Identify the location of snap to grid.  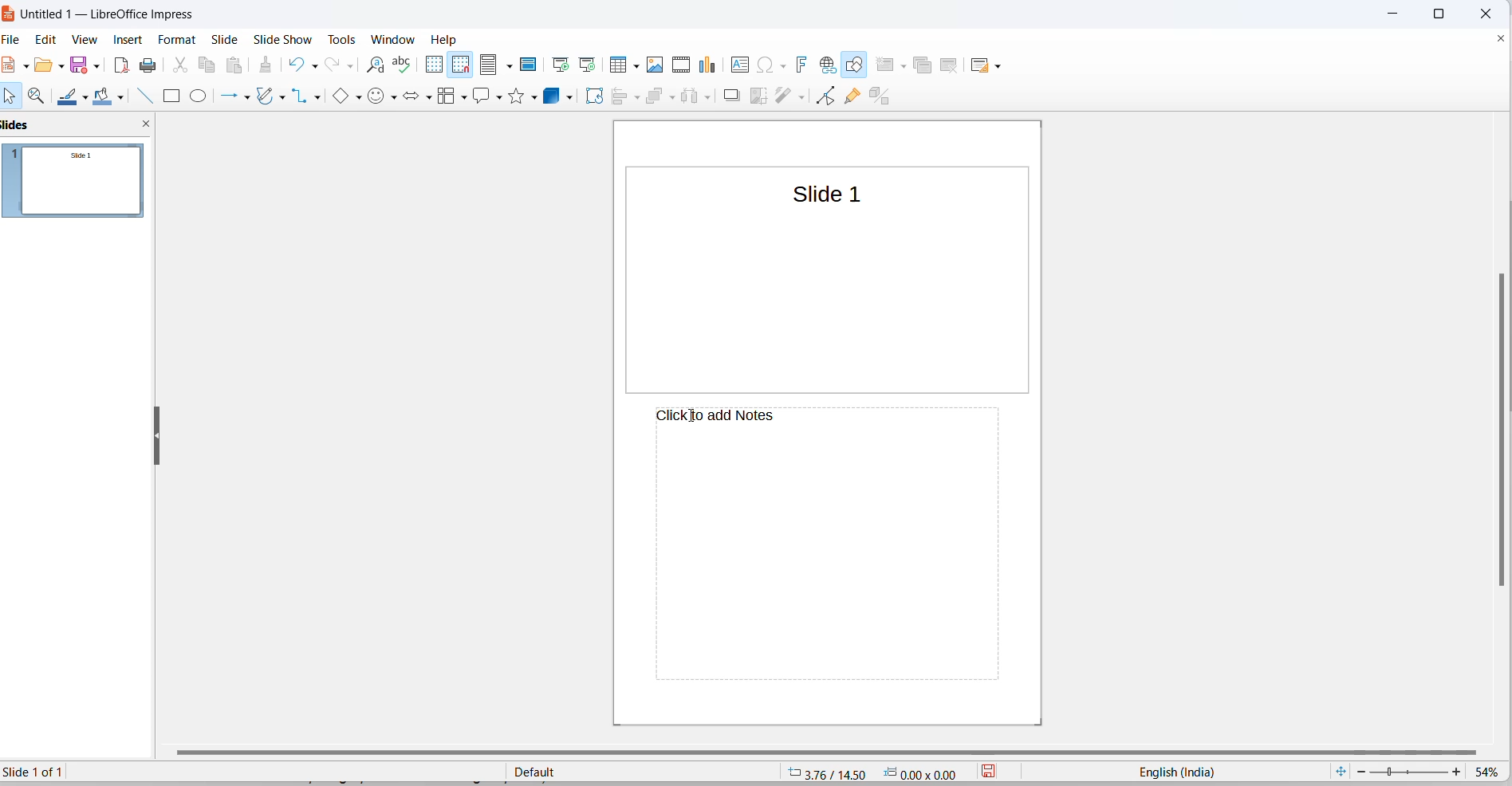
(460, 65).